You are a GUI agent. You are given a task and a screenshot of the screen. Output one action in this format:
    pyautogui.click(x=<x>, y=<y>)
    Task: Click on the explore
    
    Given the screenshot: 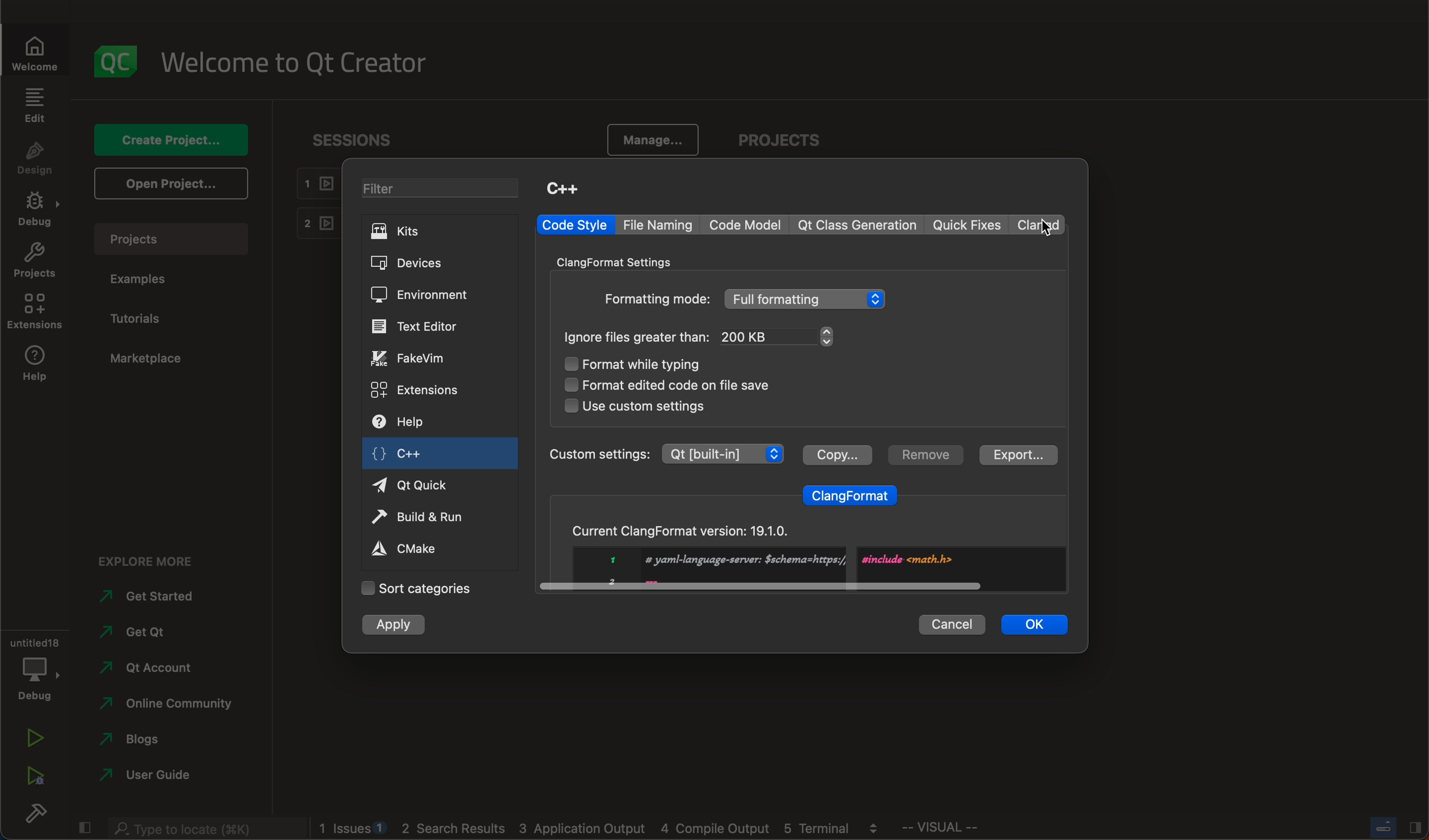 What is the action you would take?
    pyautogui.click(x=155, y=560)
    